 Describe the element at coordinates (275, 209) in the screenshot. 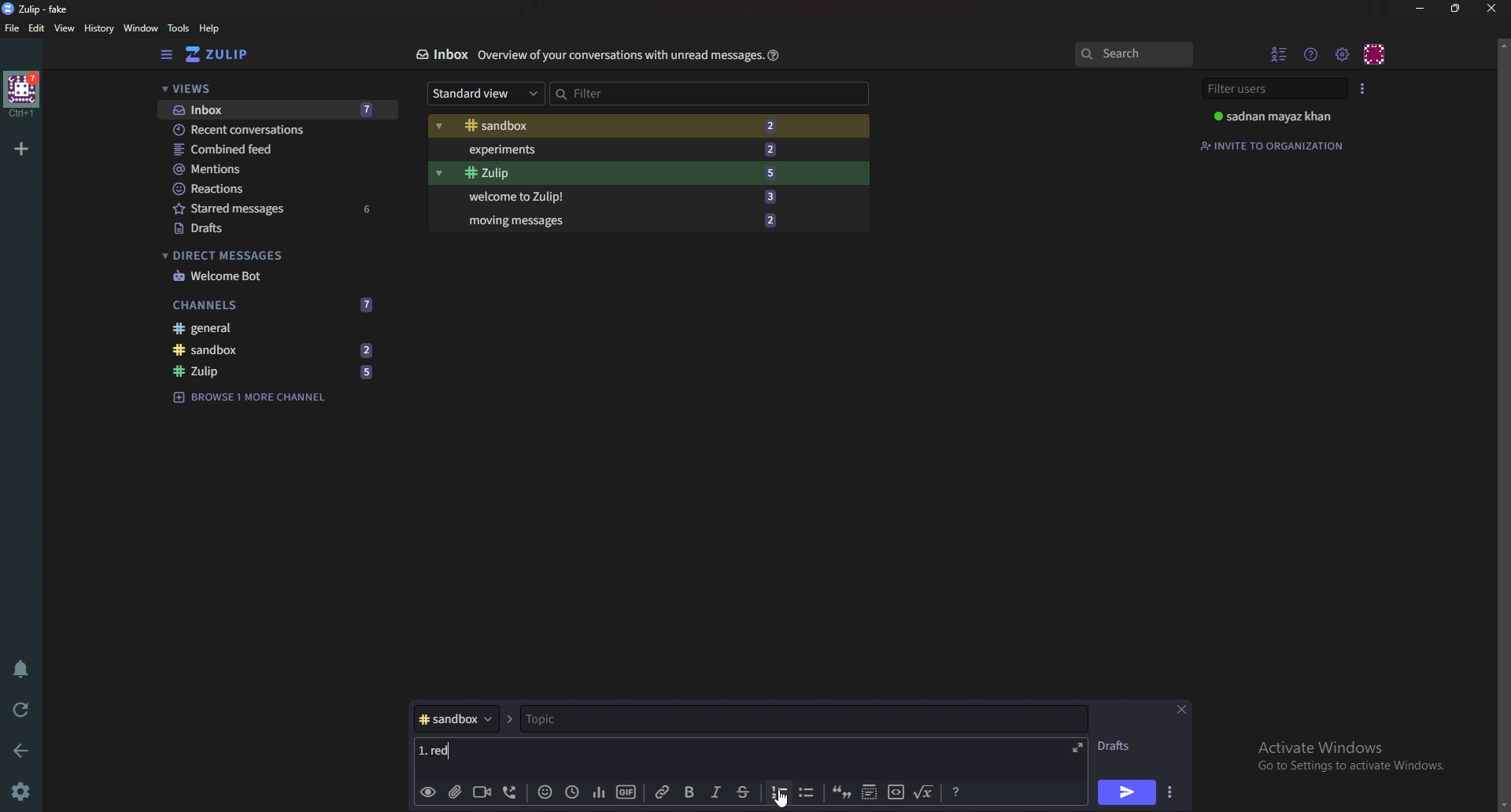

I see `Starred messages` at that location.